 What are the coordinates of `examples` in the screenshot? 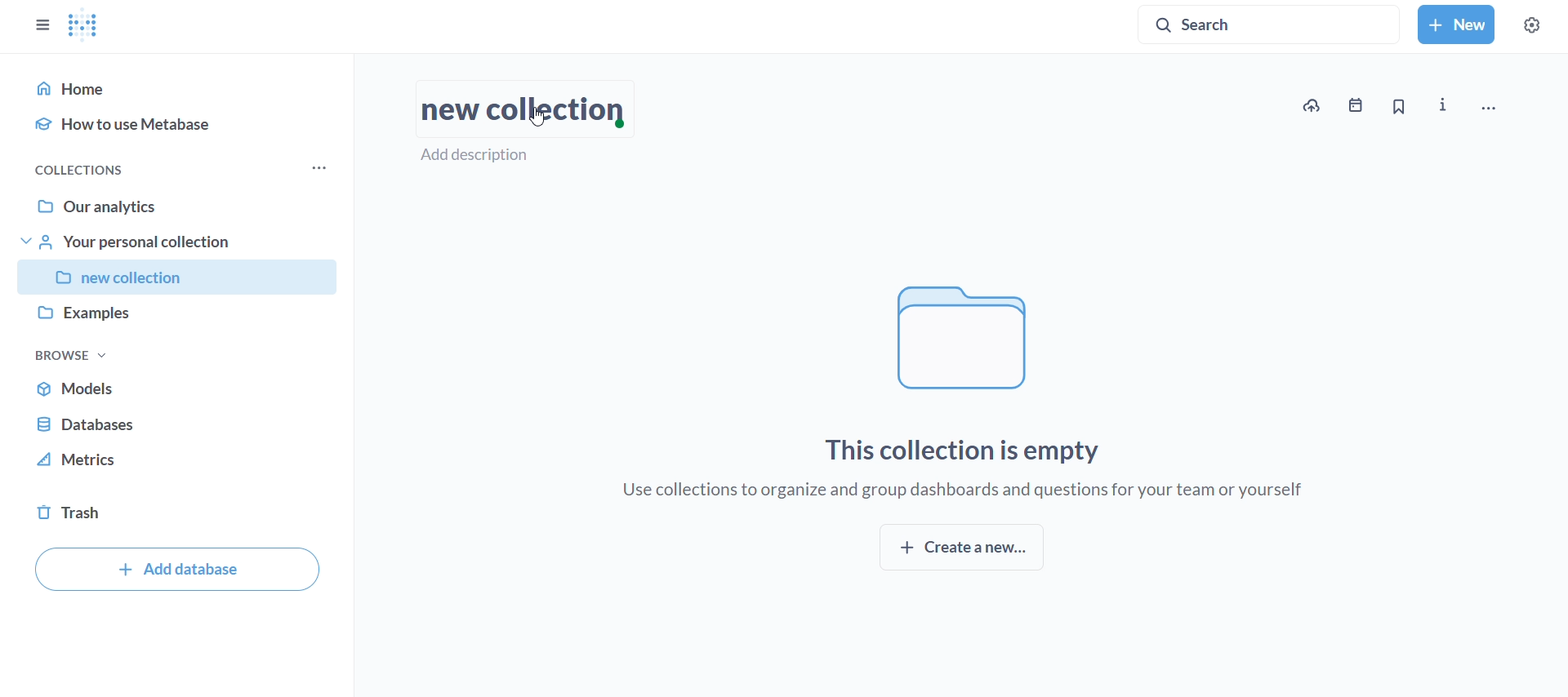 It's located at (183, 317).